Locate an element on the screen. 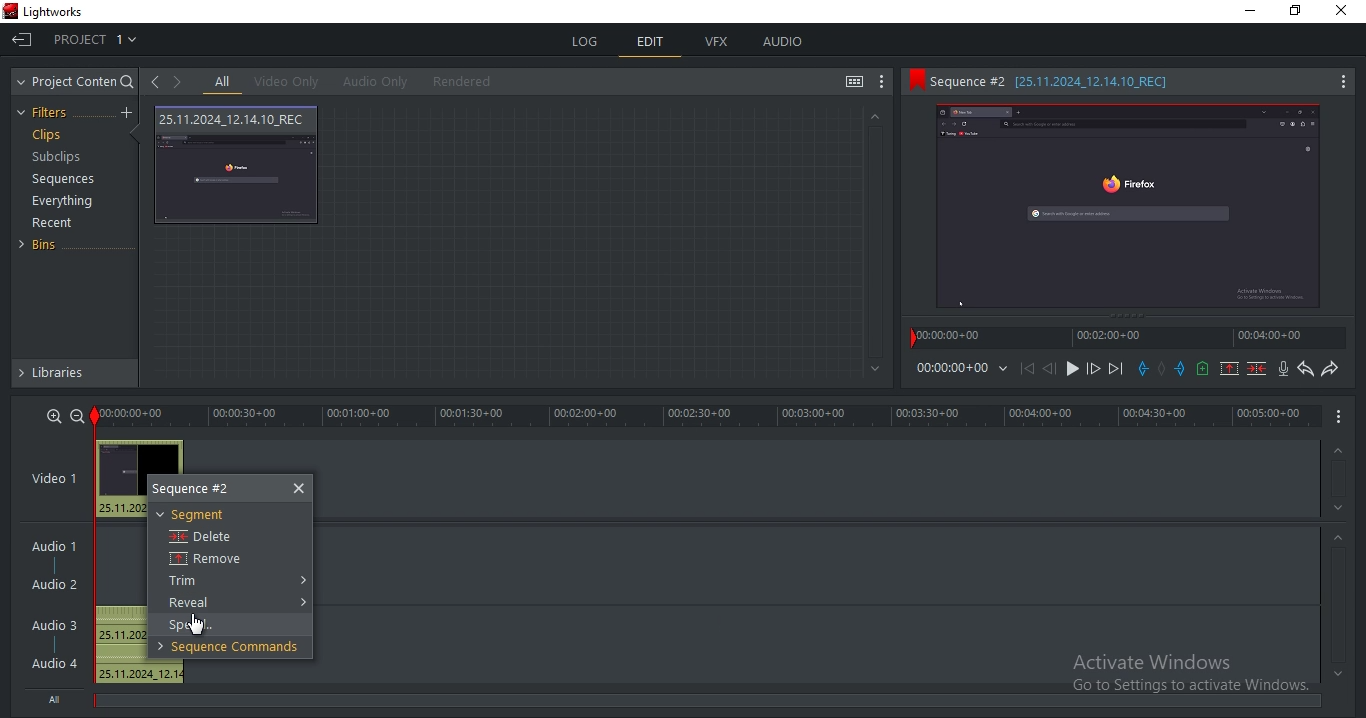 The height and width of the screenshot is (718, 1366). add is located at coordinates (129, 113).